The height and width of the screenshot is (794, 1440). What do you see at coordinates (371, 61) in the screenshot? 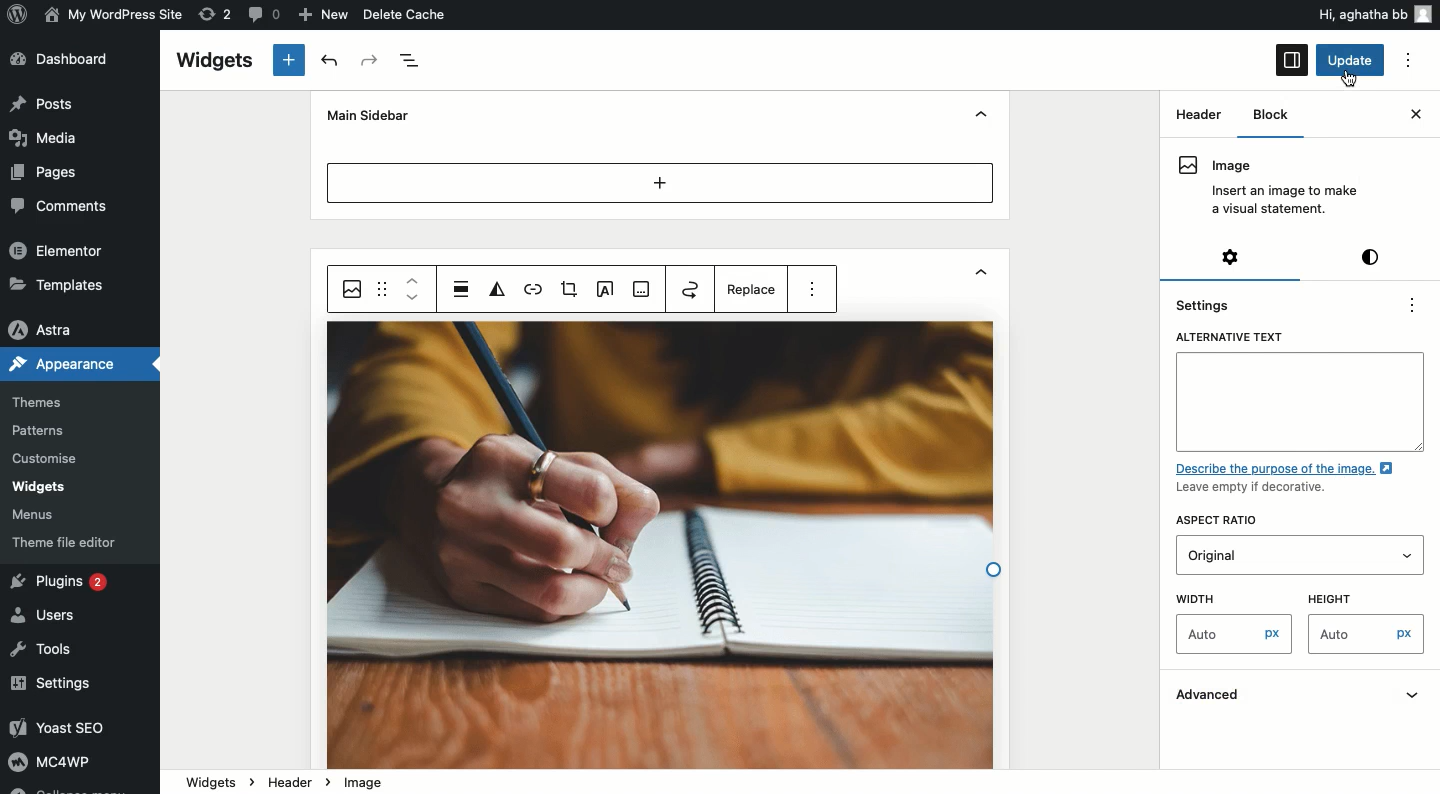
I see `Redo` at bounding box center [371, 61].